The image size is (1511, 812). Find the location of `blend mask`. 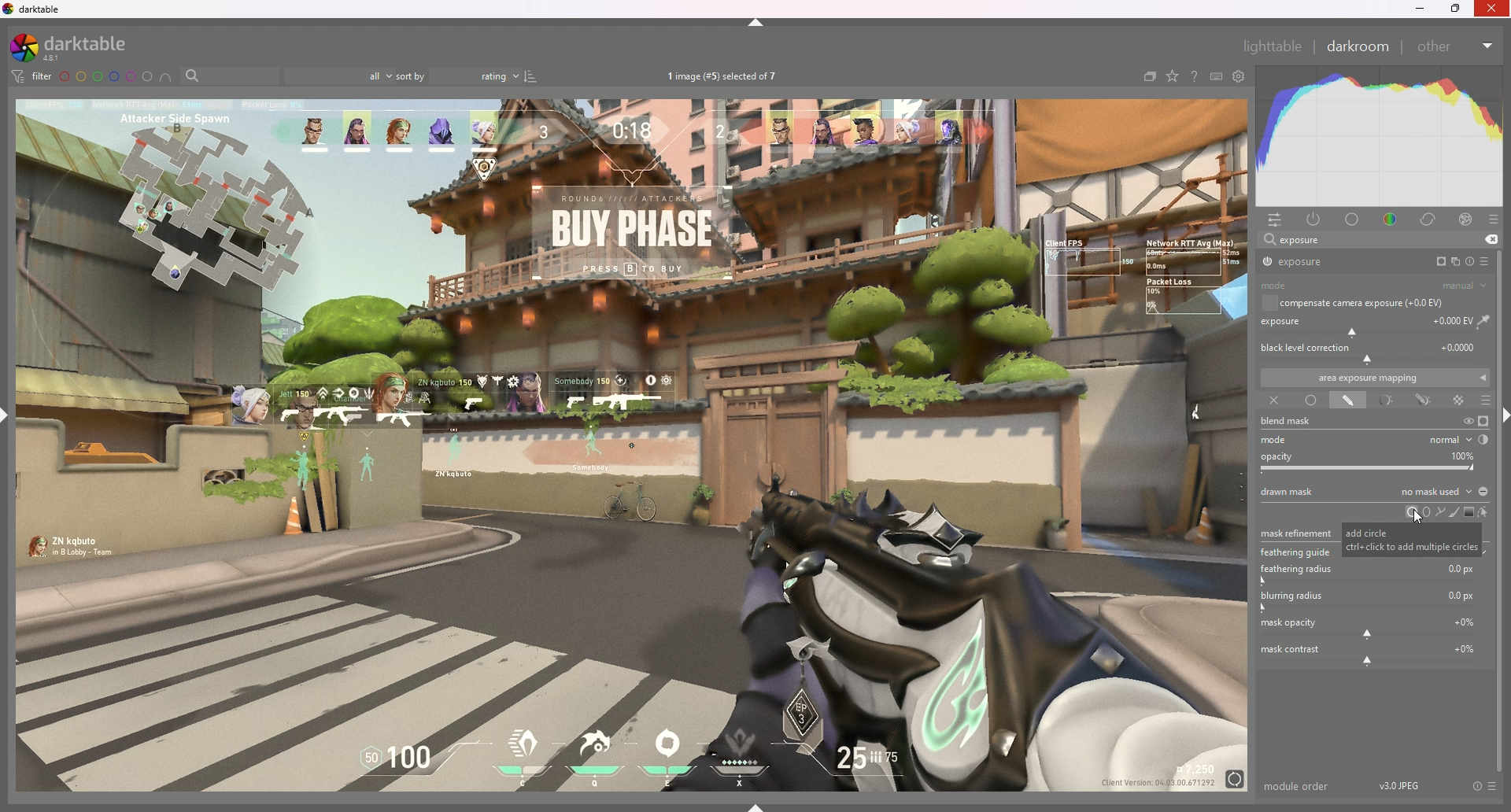

blend mask is located at coordinates (1295, 422).